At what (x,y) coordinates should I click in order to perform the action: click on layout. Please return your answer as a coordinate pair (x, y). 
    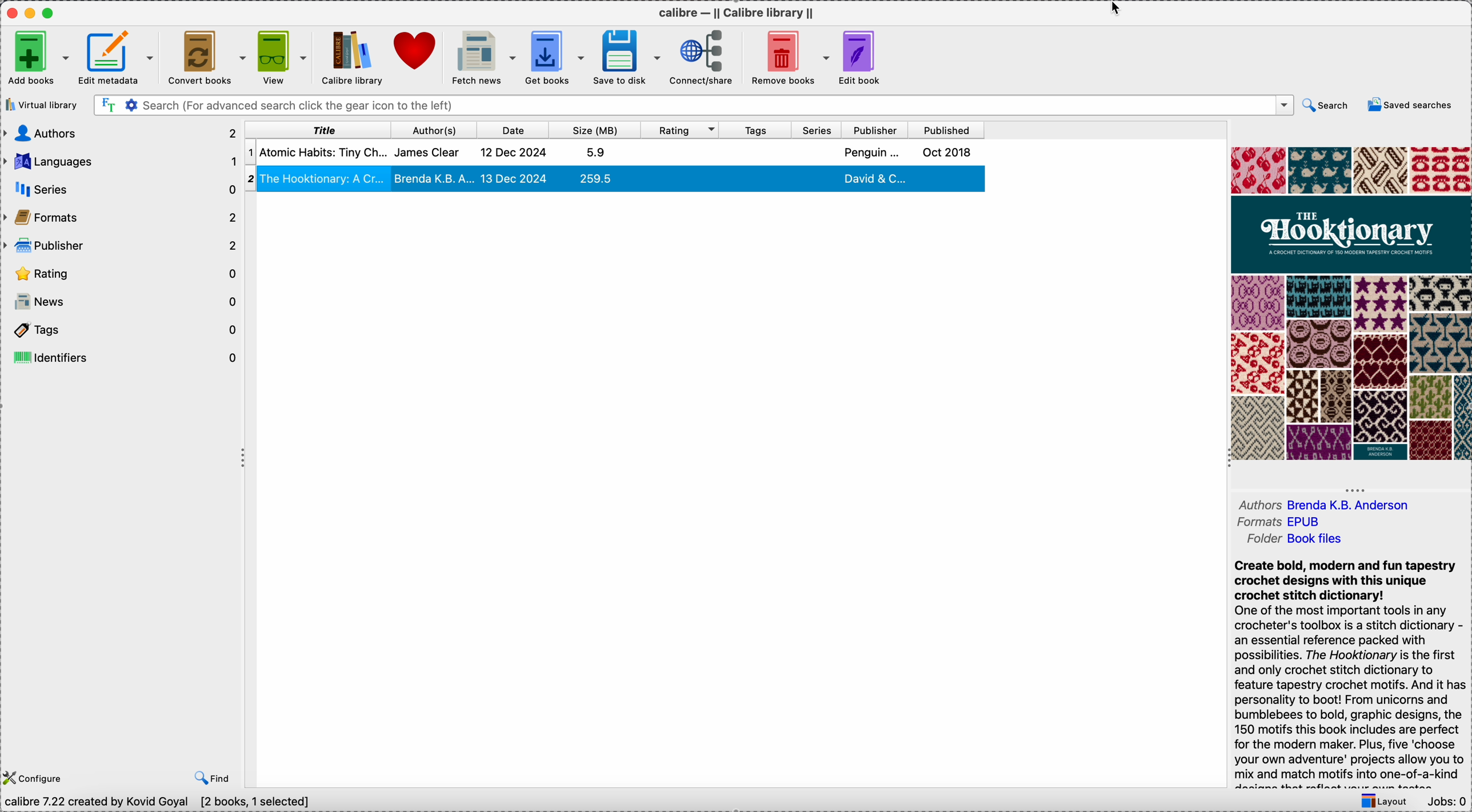
    Looking at the image, I should click on (1385, 800).